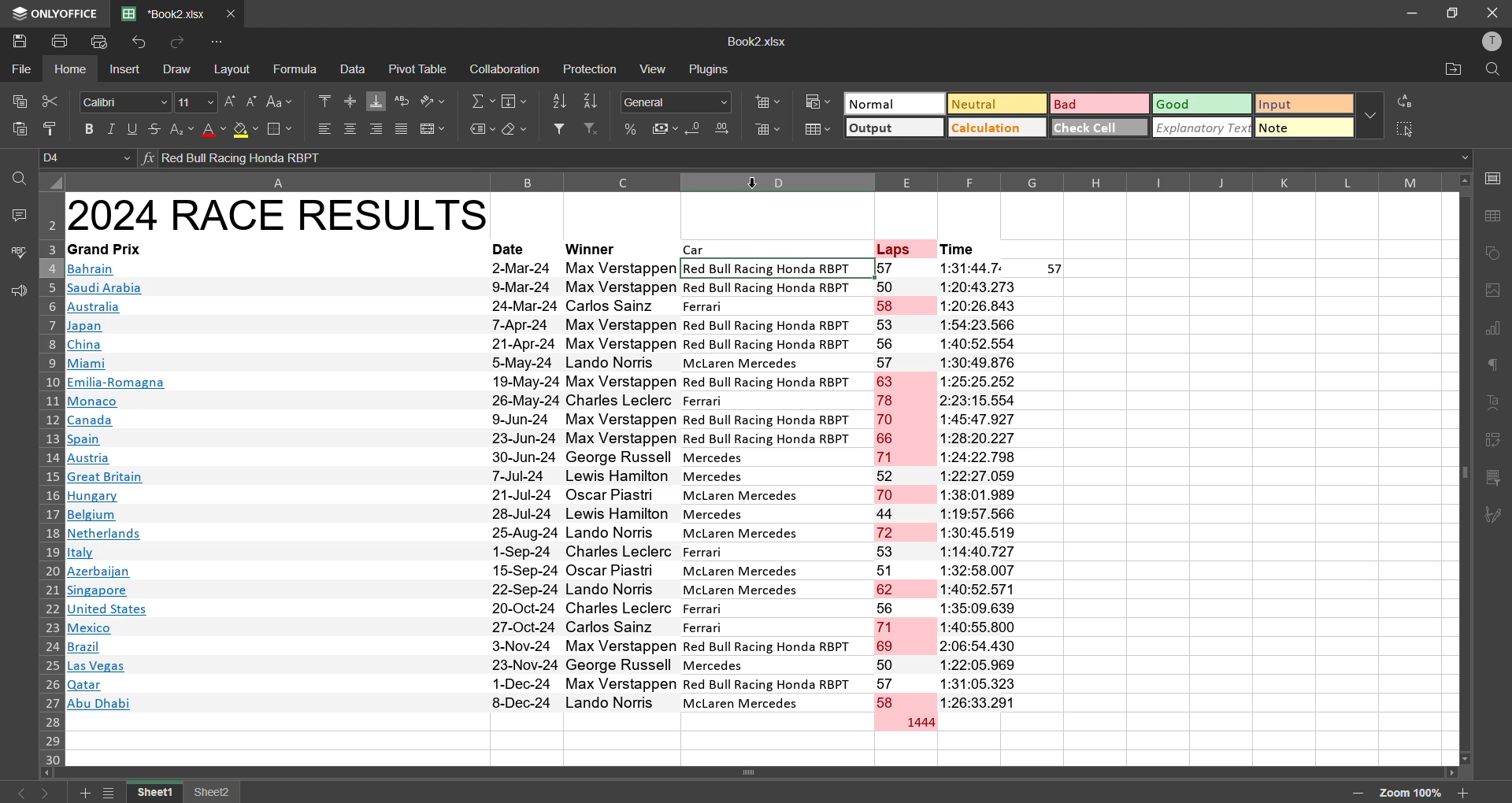  What do you see at coordinates (1494, 290) in the screenshot?
I see `images` at bounding box center [1494, 290].